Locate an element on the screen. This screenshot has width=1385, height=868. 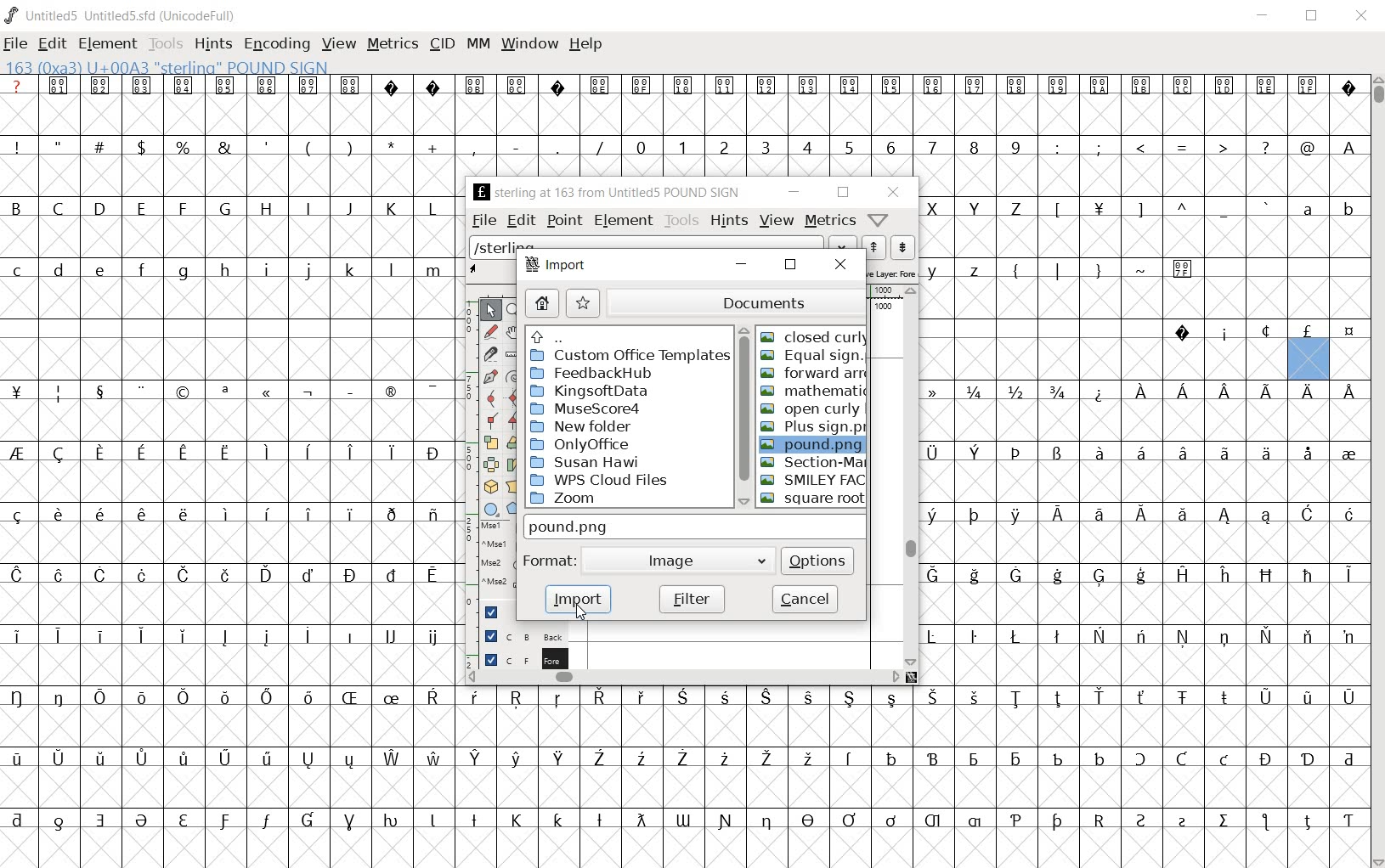
Symbol is located at coordinates (935, 86).